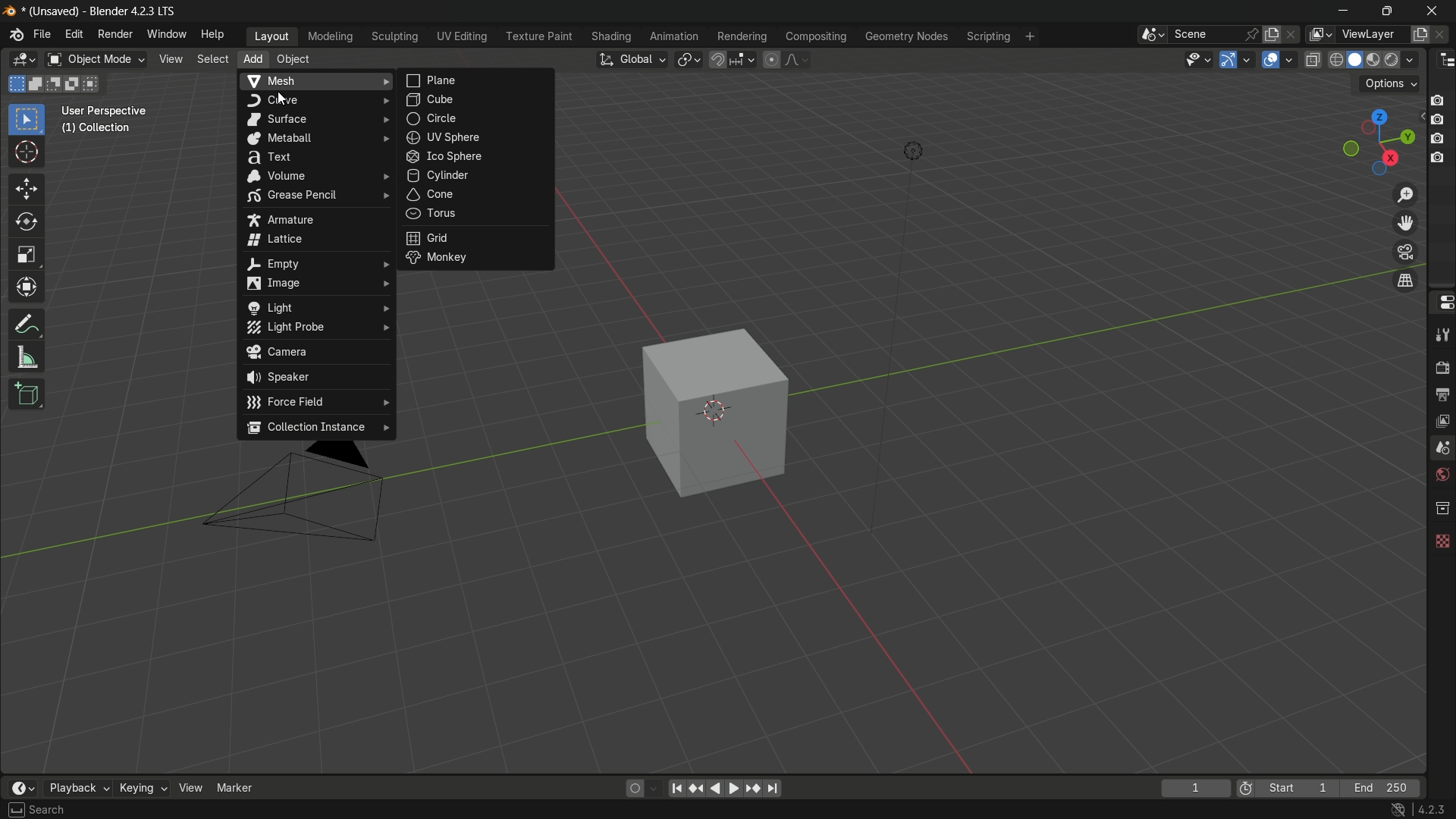 The width and height of the screenshot is (1456, 819). I want to click on cone, so click(475, 195).